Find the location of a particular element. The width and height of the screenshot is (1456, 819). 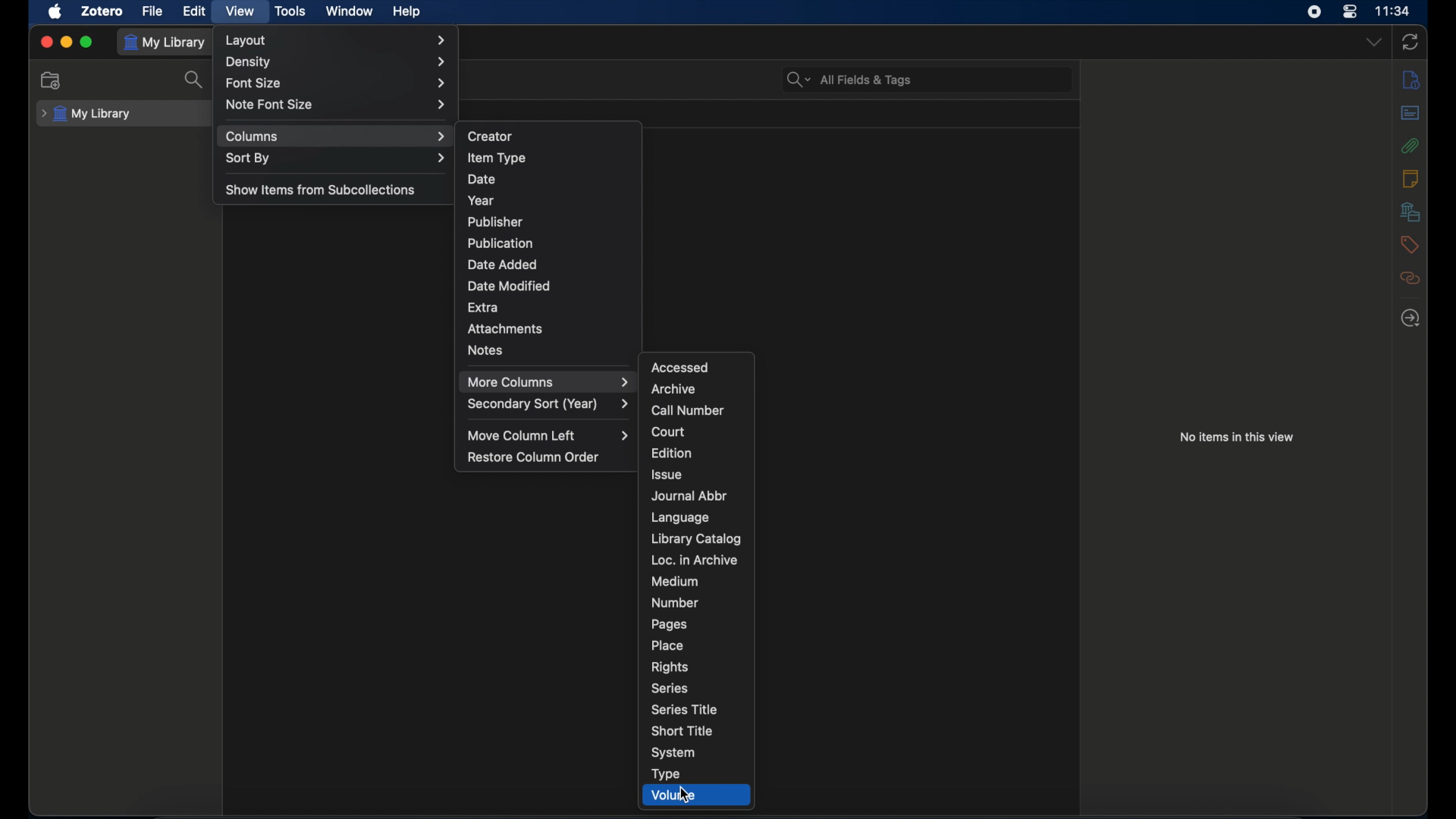

time is located at coordinates (1393, 10).